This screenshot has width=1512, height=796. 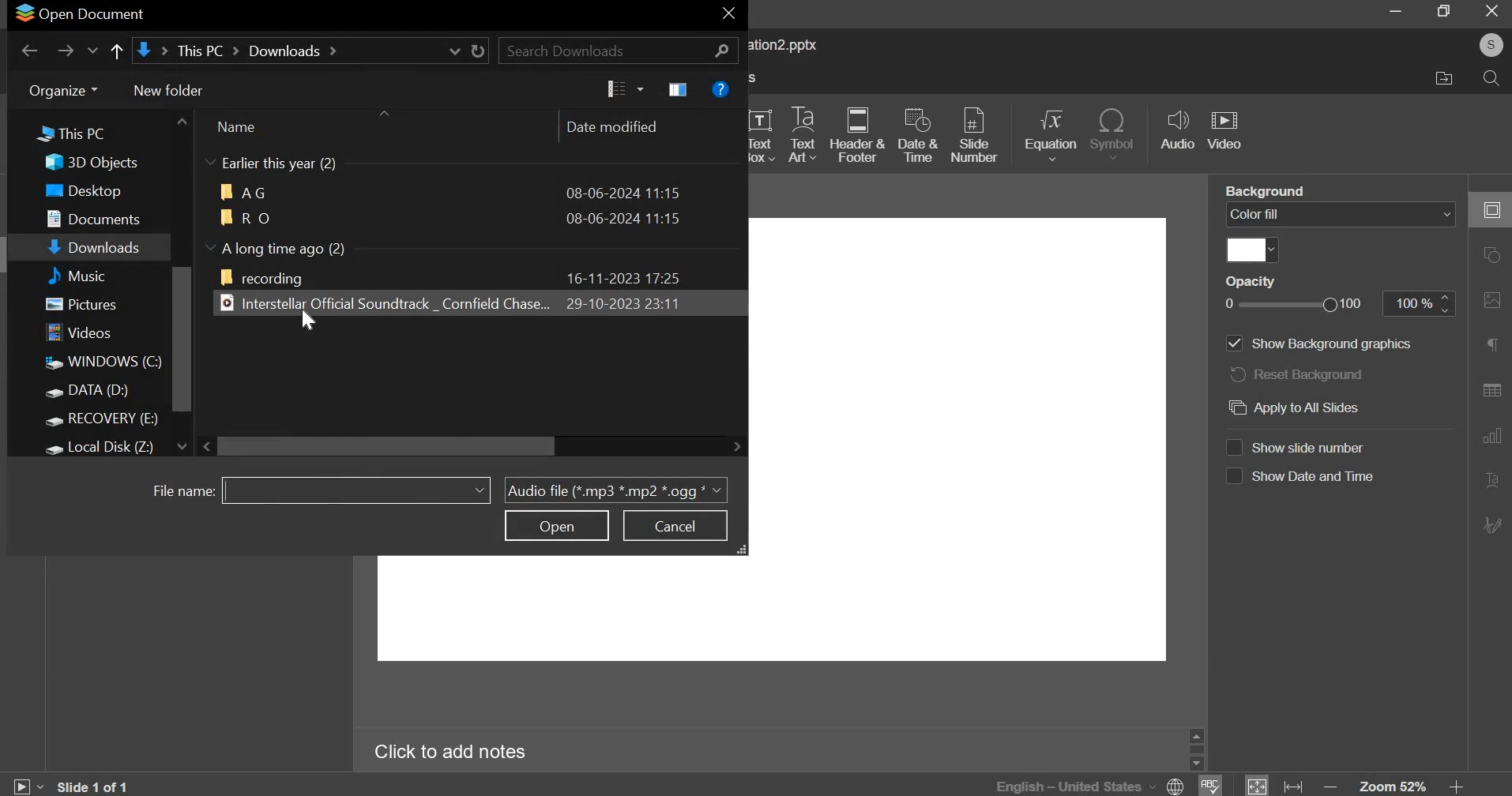 I want to click on show the preview pane, so click(x=678, y=89).